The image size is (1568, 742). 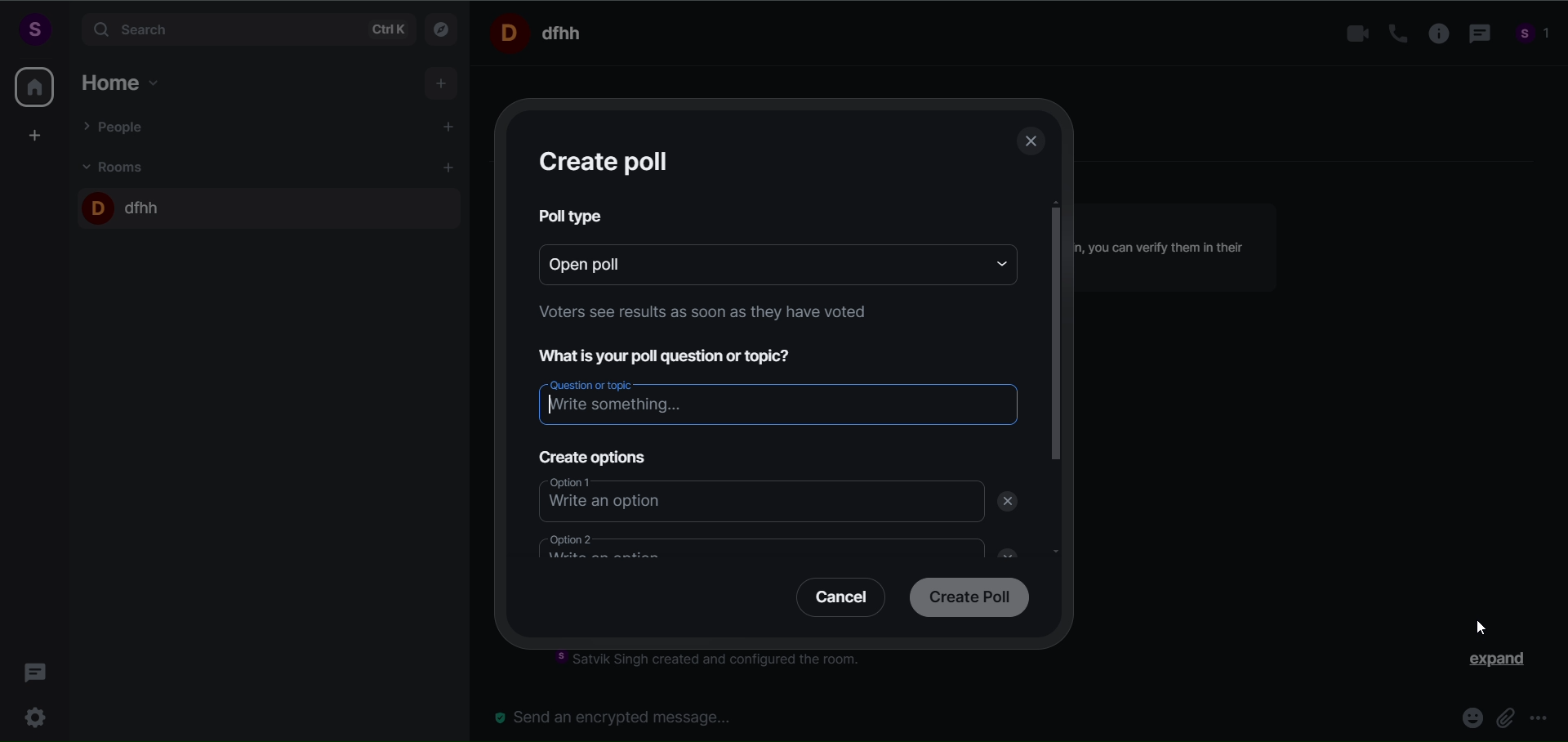 What do you see at coordinates (127, 80) in the screenshot?
I see `home option` at bounding box center [127, 80].